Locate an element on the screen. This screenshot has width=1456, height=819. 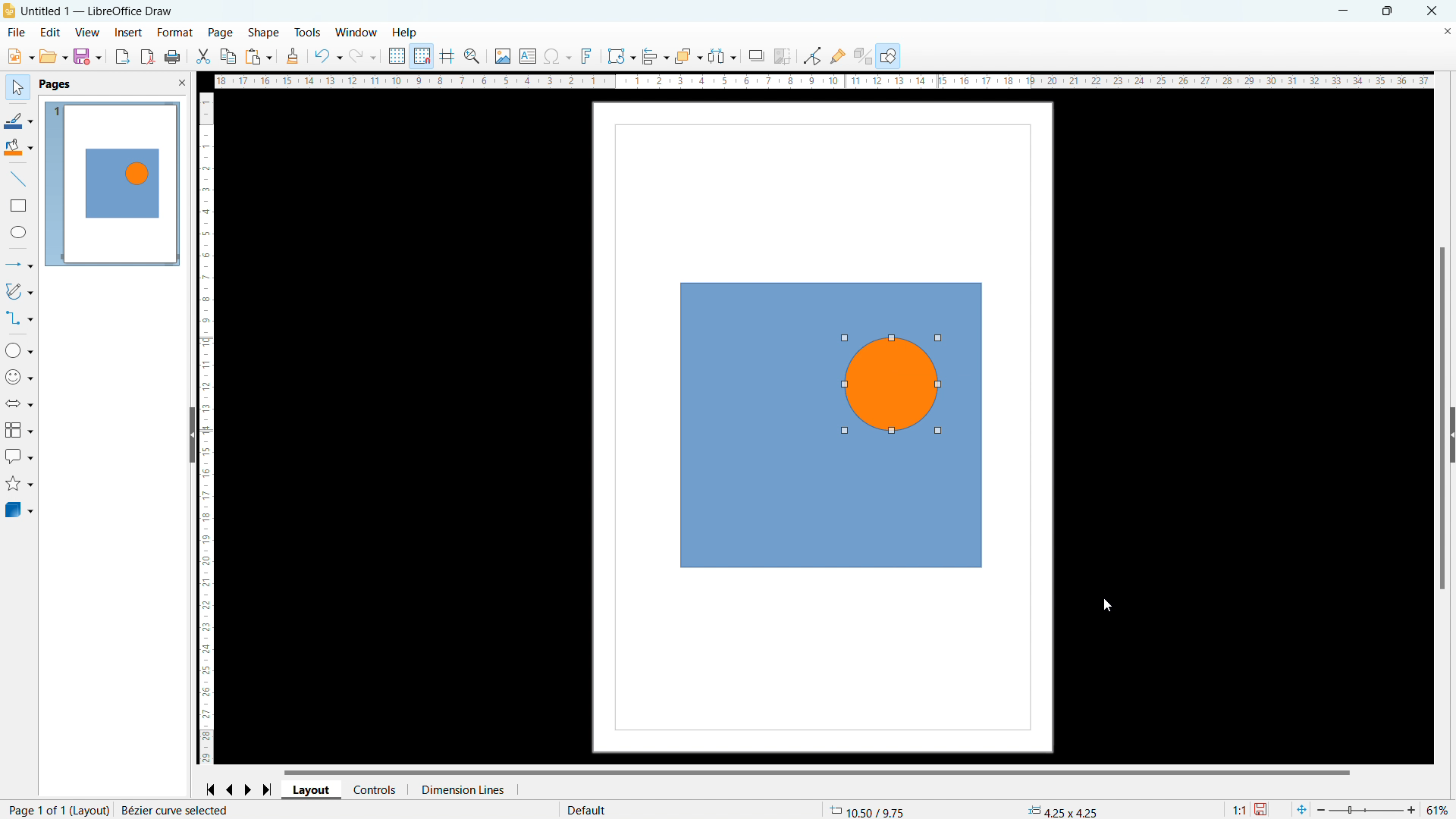
helplines while moving is located at coordinates (447, 56).